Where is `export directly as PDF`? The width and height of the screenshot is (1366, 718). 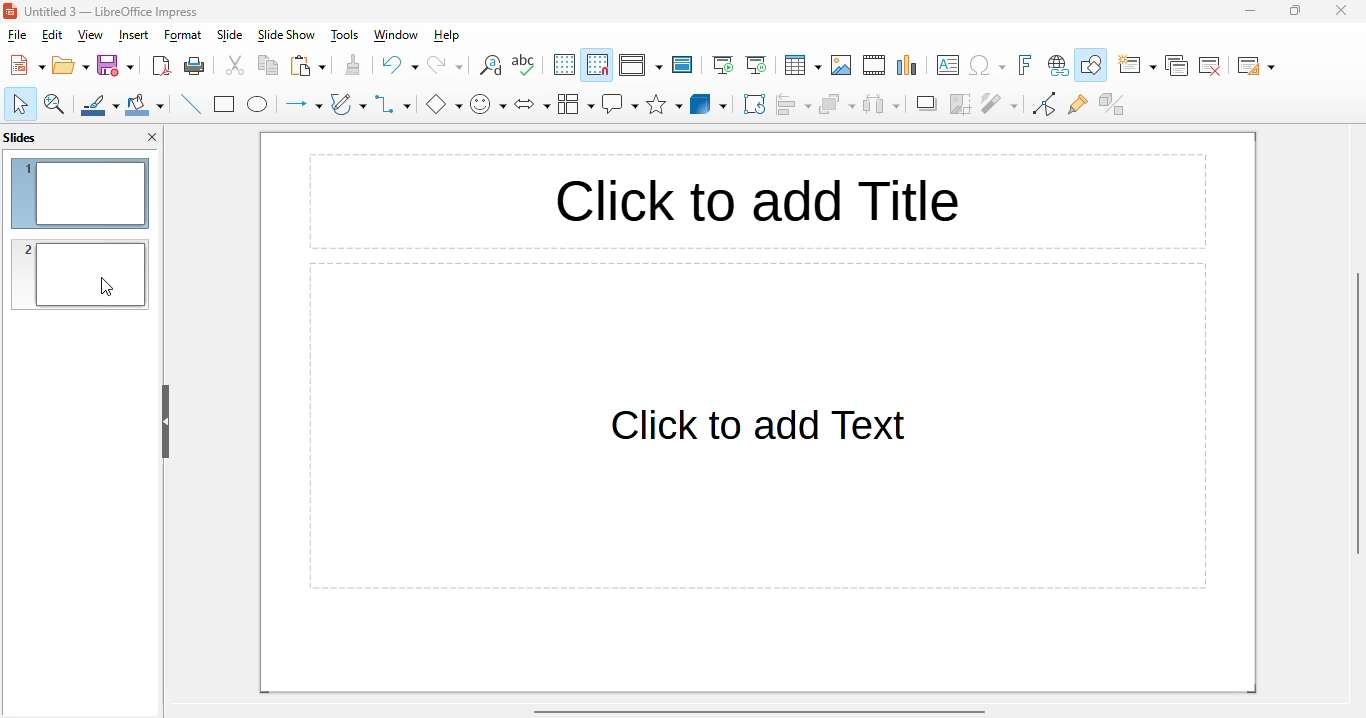 export directly as PDF is located at coordinates (162, 66).